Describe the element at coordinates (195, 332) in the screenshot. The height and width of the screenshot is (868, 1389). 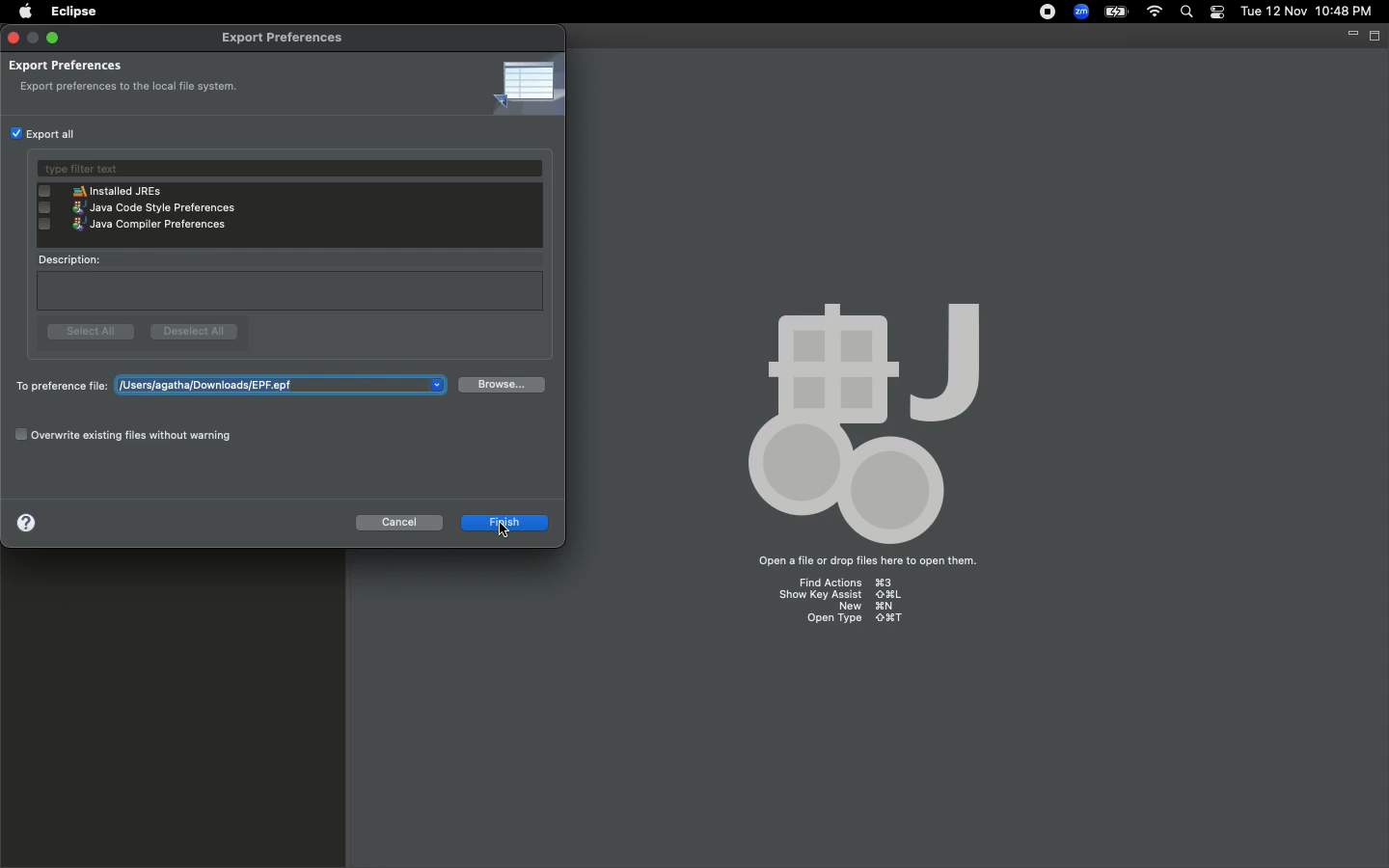
I see `Deselect all` at that location.